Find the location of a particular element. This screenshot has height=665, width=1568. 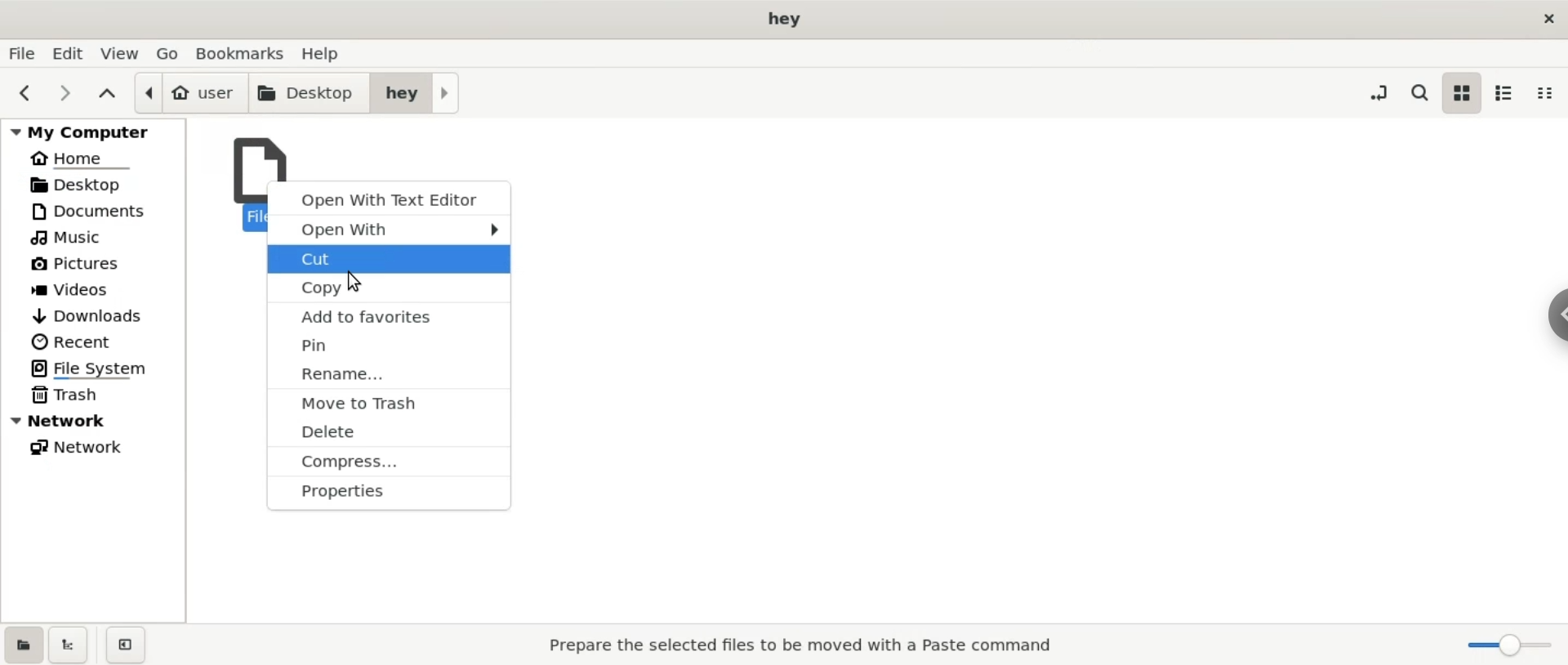

list view is located at coordinates (1506, 91).